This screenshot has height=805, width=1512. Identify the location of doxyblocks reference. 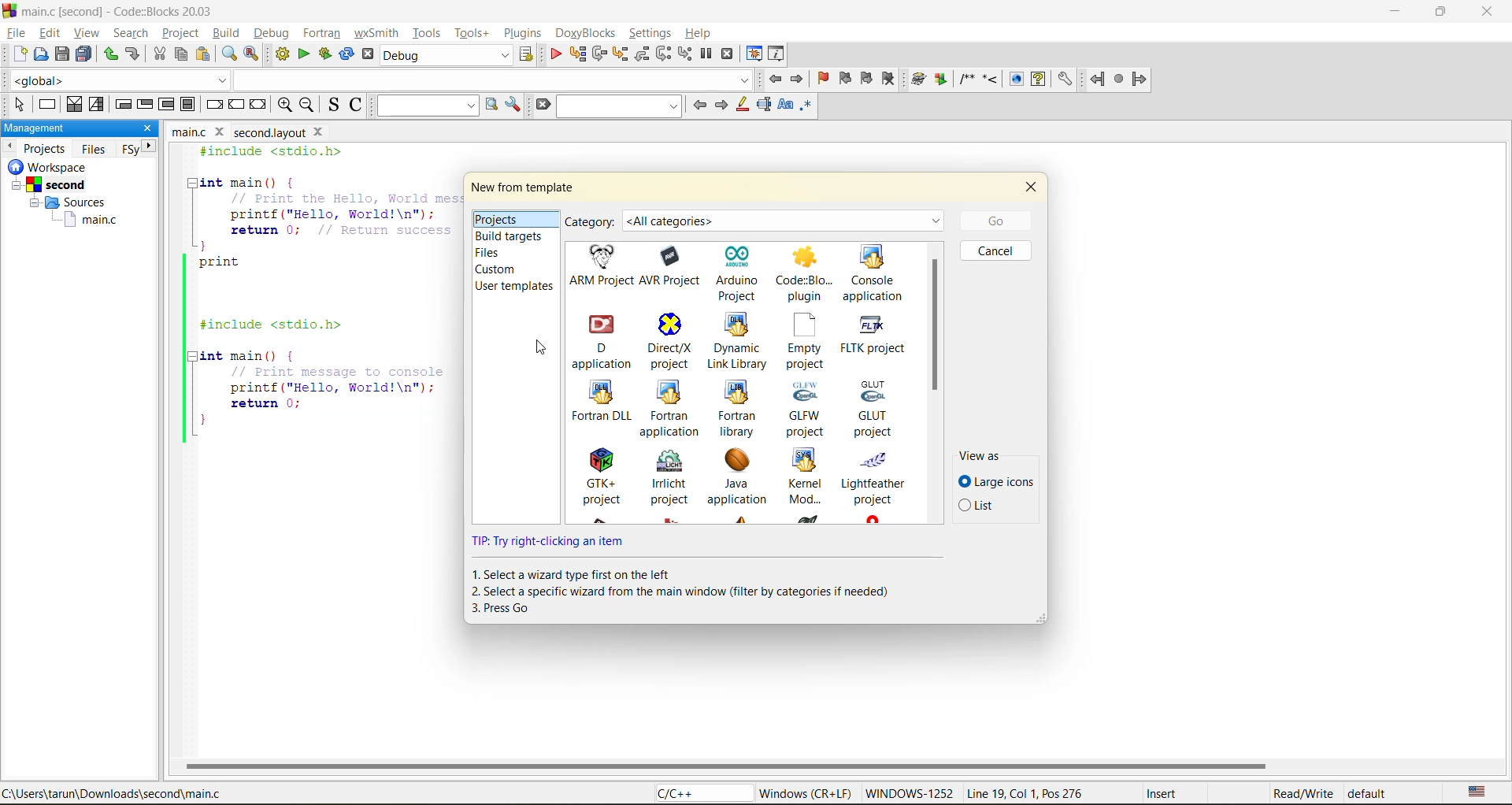
(991, 80).